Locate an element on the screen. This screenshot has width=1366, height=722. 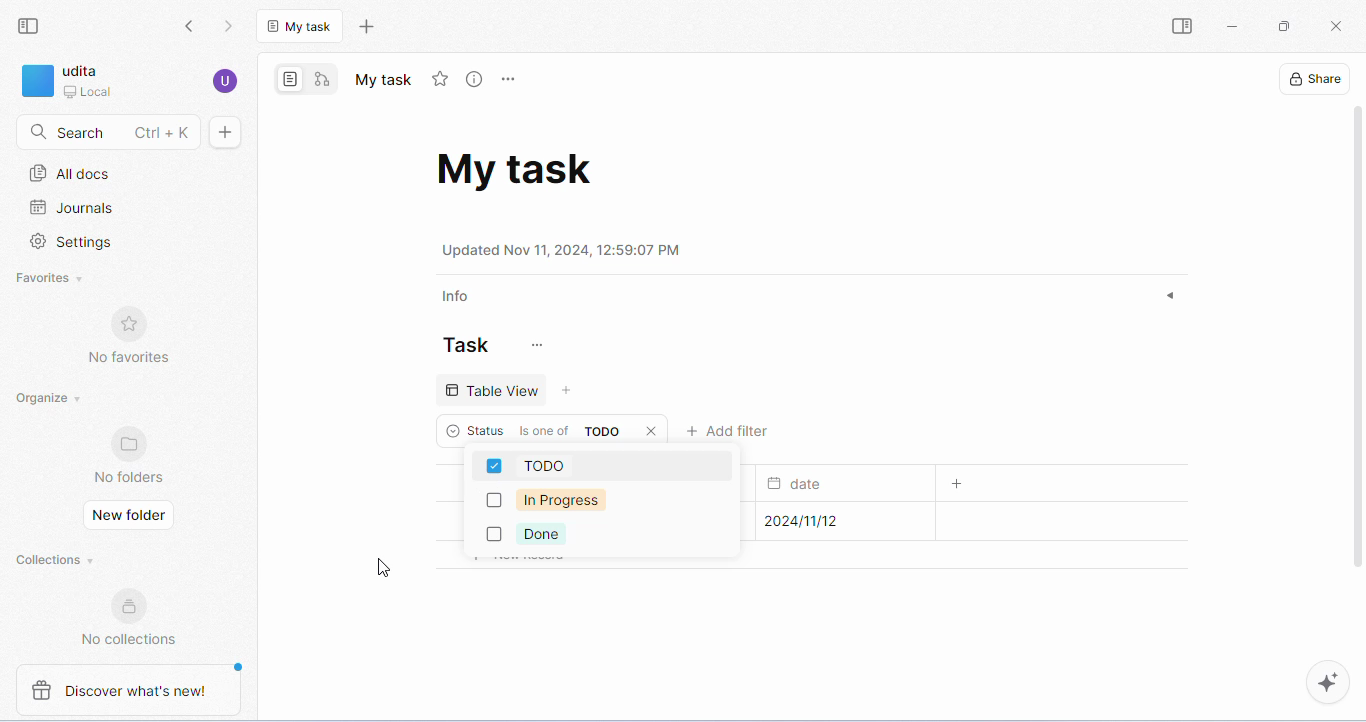
maximize is located at coordinates (1282, 26).